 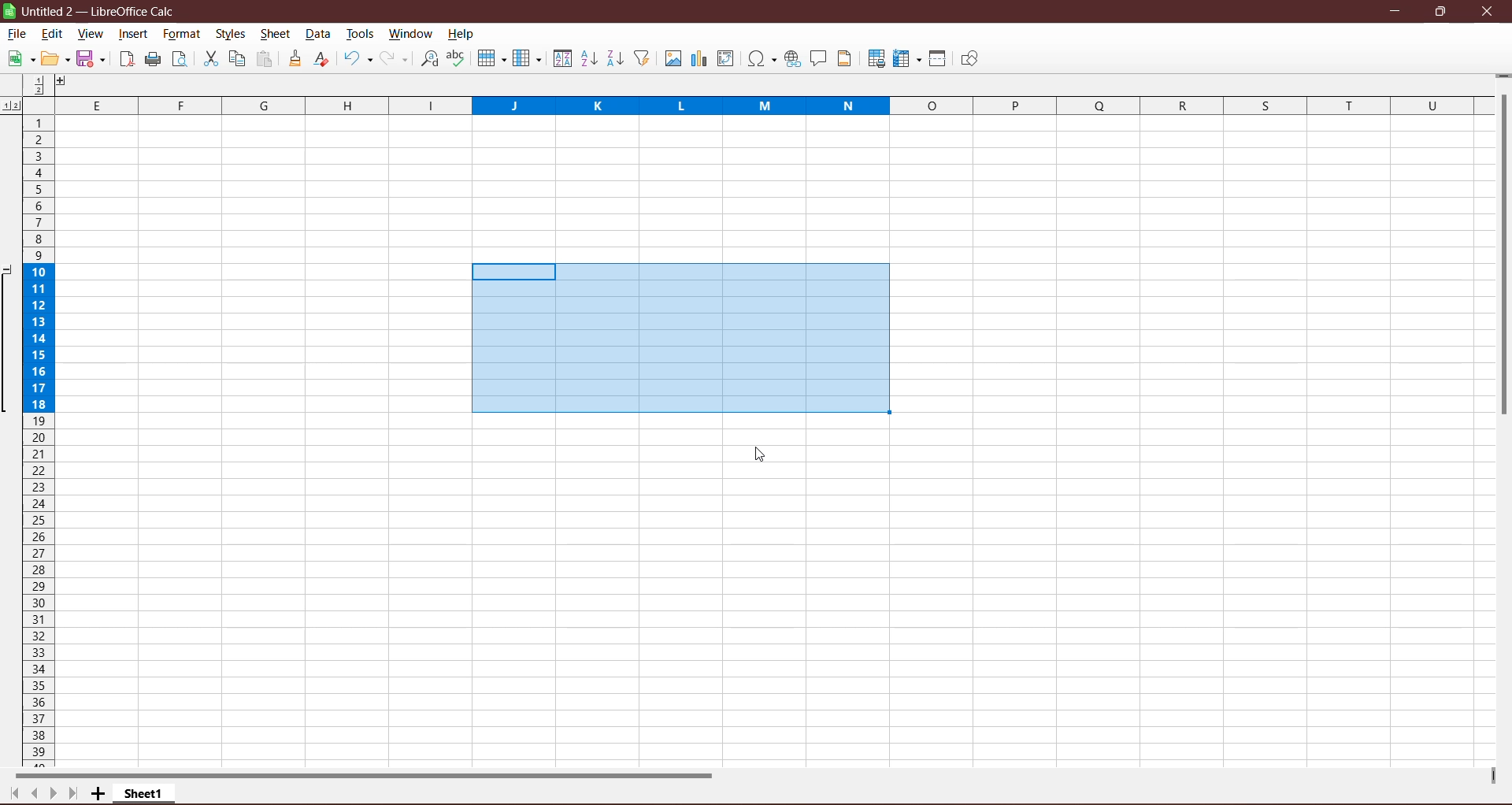 I want to click on Toggle Print Preview, so click(x=182, y=59).